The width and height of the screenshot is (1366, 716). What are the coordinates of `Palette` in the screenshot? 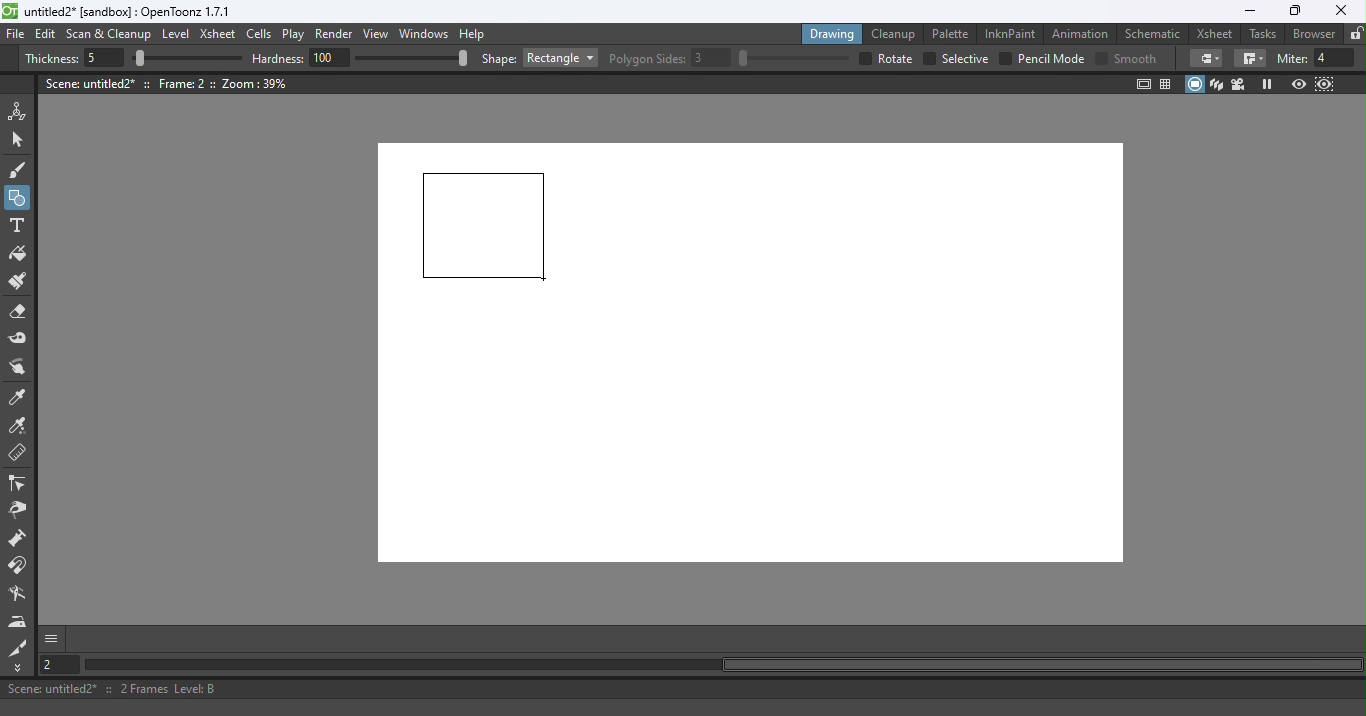 It's located at (953, 33).